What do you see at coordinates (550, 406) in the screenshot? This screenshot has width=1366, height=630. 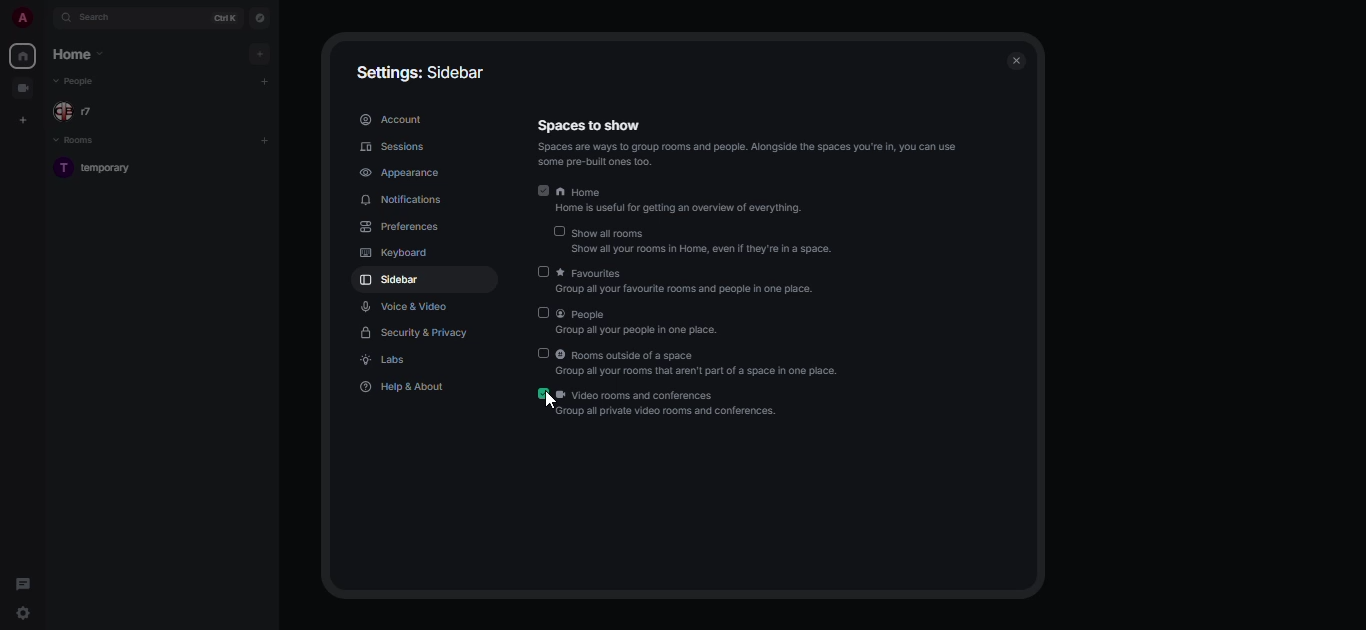 I see `cursor` at bounding box center [550, 406].